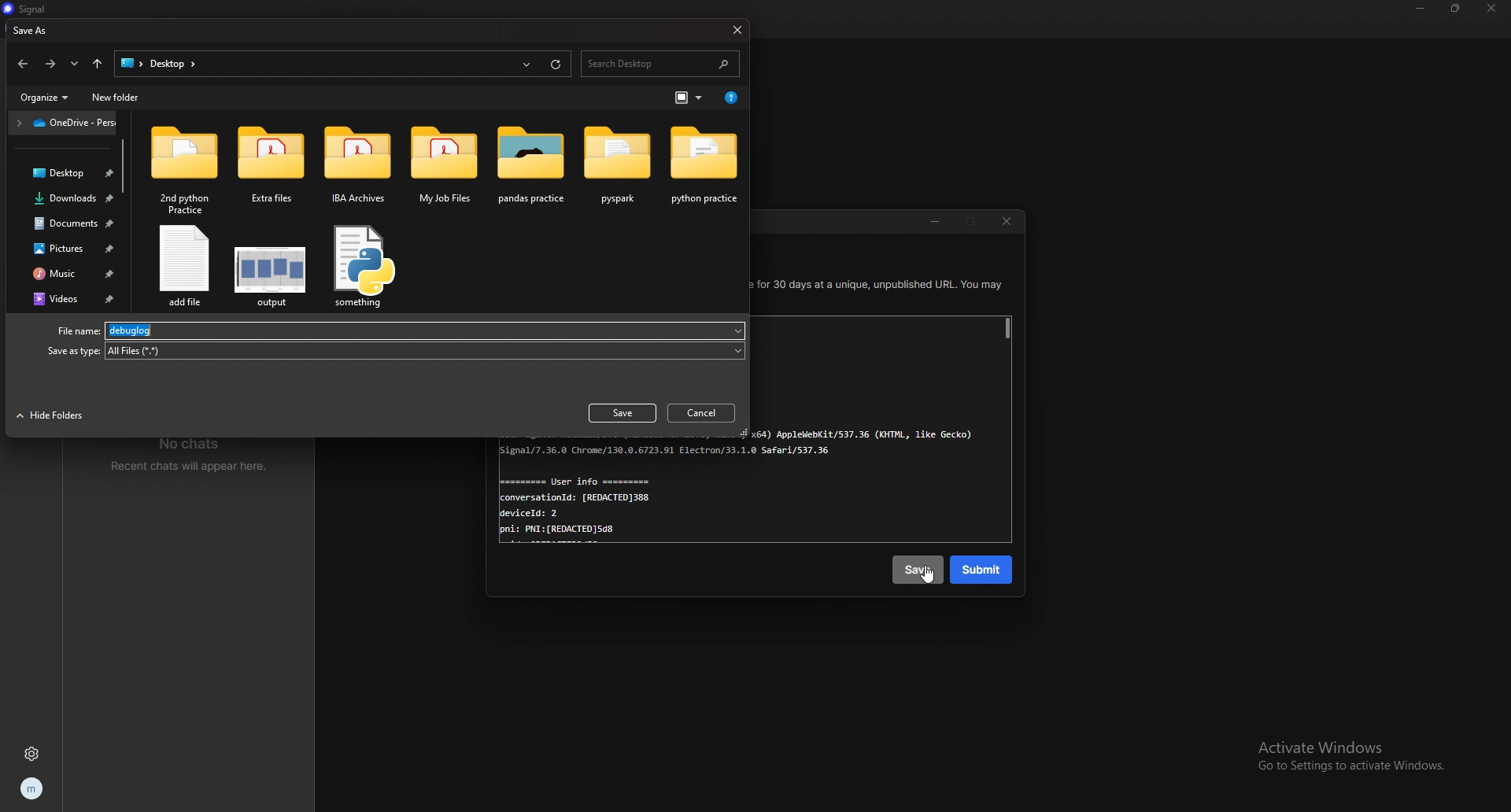 This screenshot has height=812, width=1511. What do you see at coordinates (75, 64) in the screenshot?
I see `recents` at bounding box center [75, 64].